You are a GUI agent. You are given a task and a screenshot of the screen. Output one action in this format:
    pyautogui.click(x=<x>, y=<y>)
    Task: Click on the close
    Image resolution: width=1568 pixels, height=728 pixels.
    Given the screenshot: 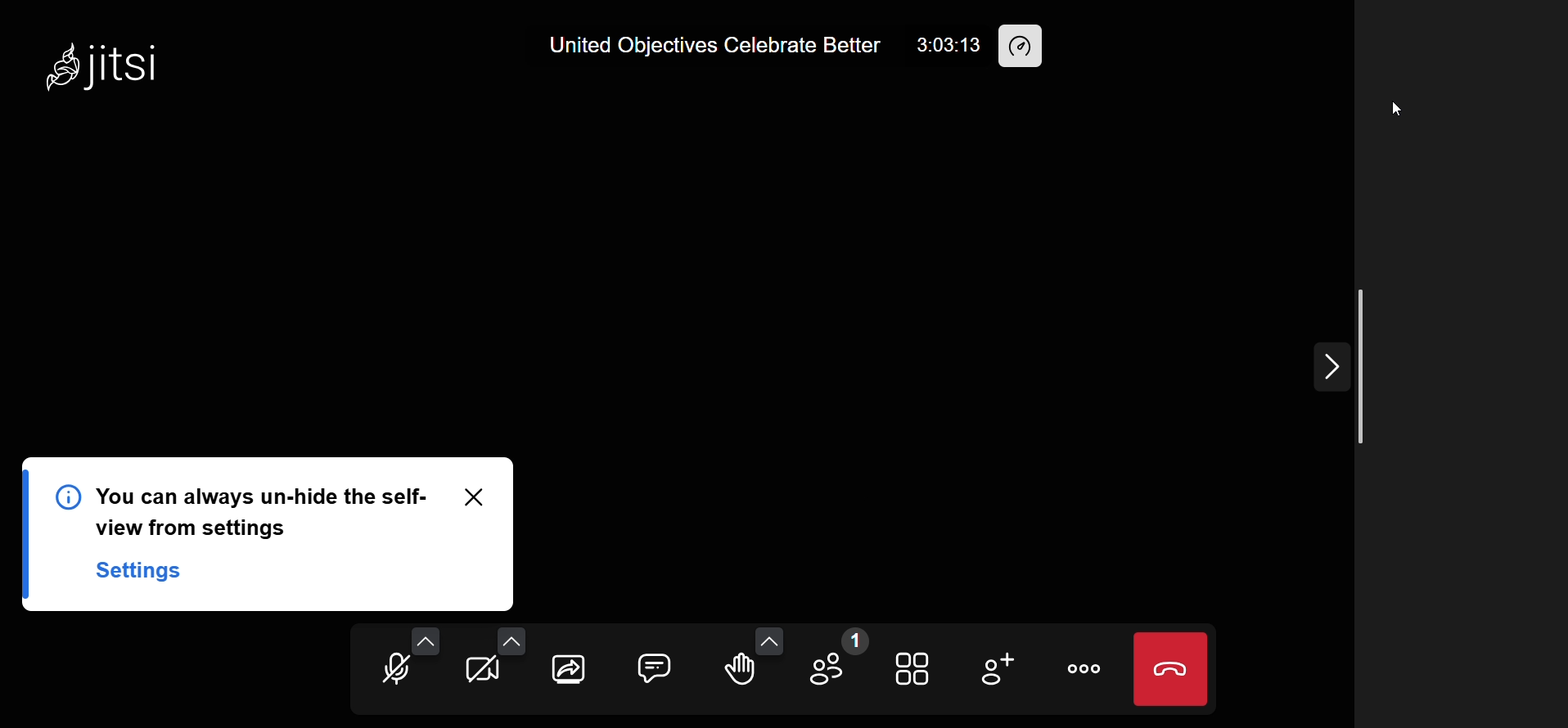 What is the action you would take?
    pyautogui.click(x=471, y=493)
    